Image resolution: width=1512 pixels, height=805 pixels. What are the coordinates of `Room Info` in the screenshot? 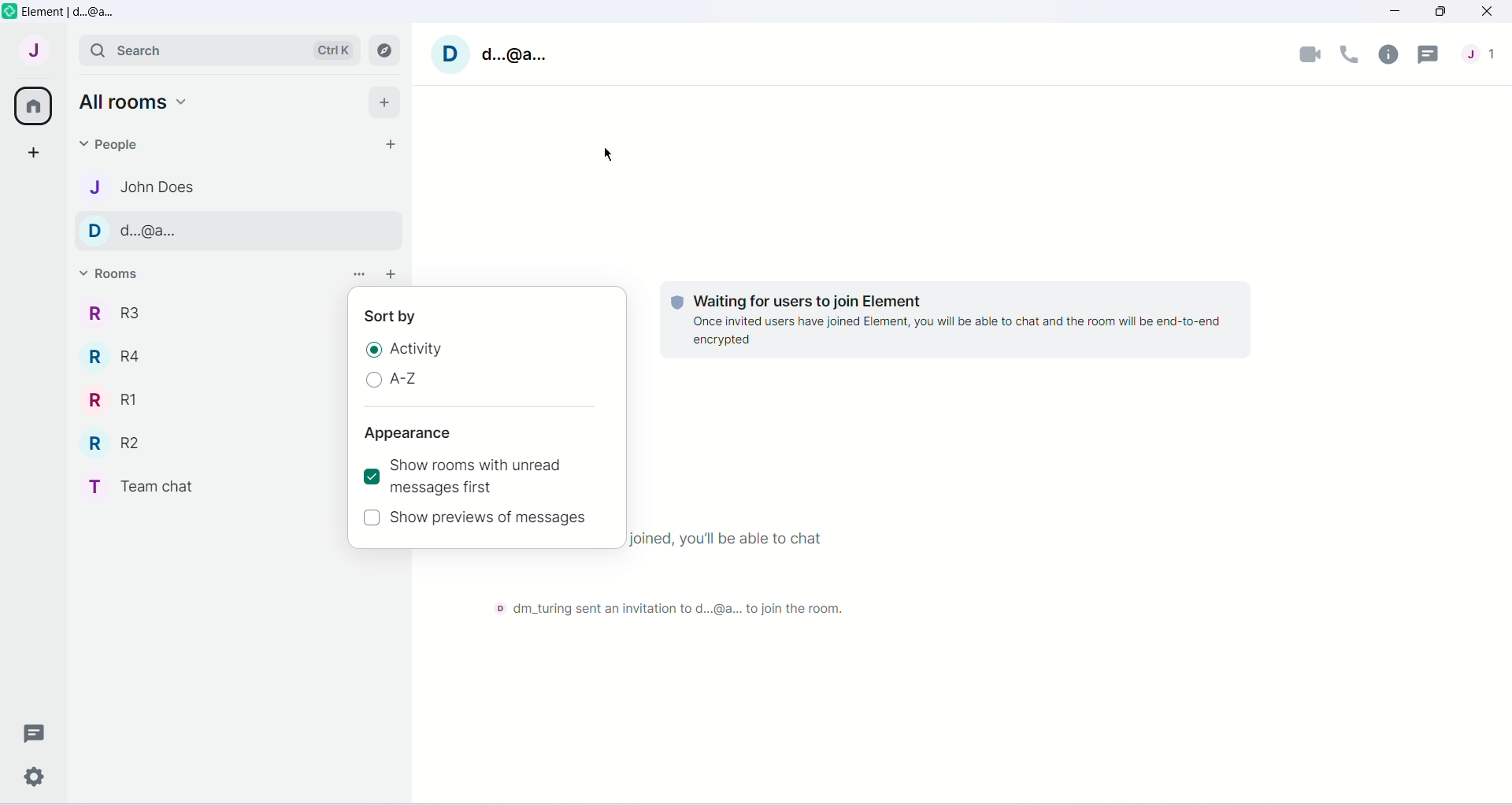 It's located at (1388, 54).